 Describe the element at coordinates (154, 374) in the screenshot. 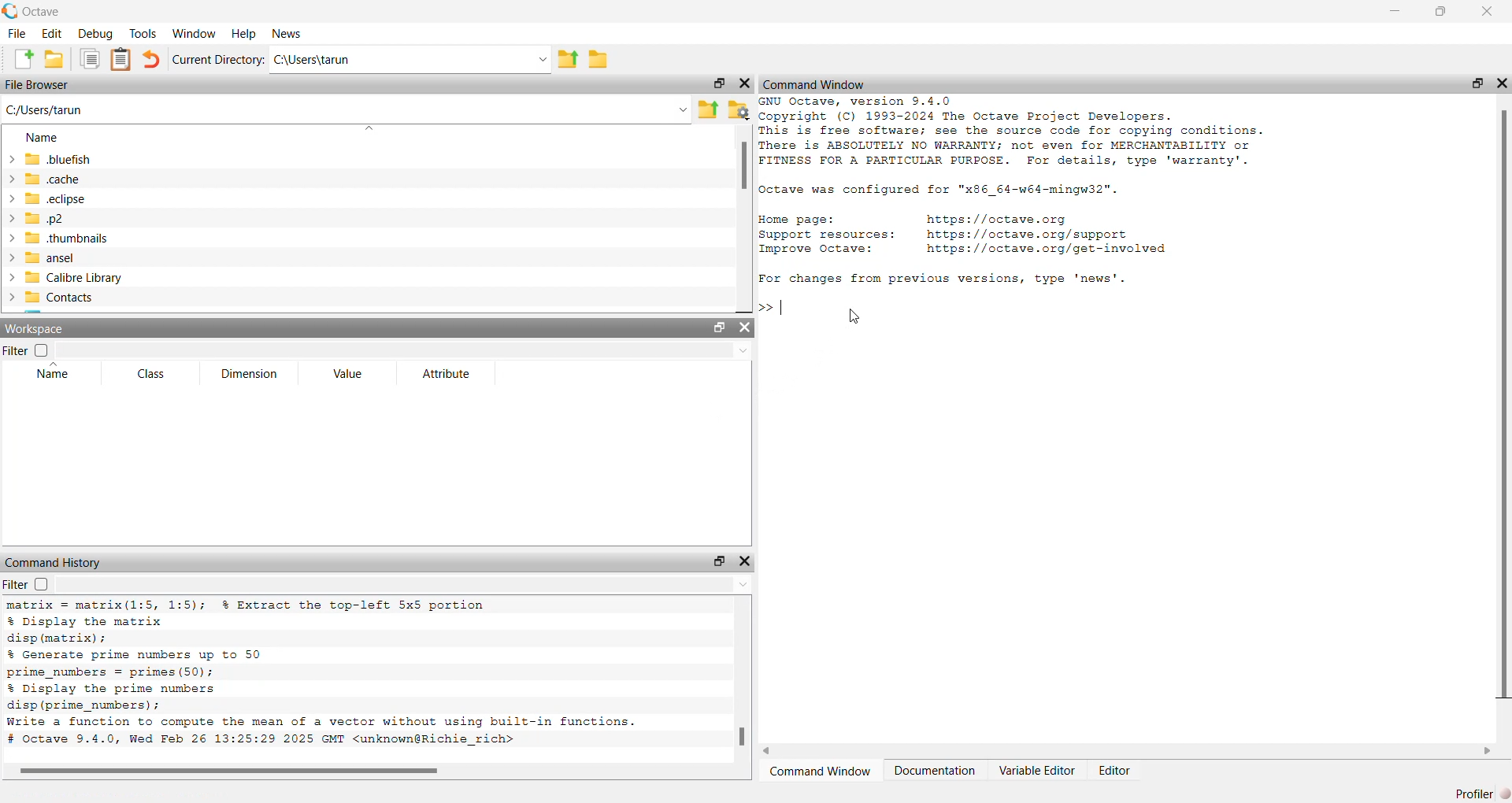

I see `class` at that location.